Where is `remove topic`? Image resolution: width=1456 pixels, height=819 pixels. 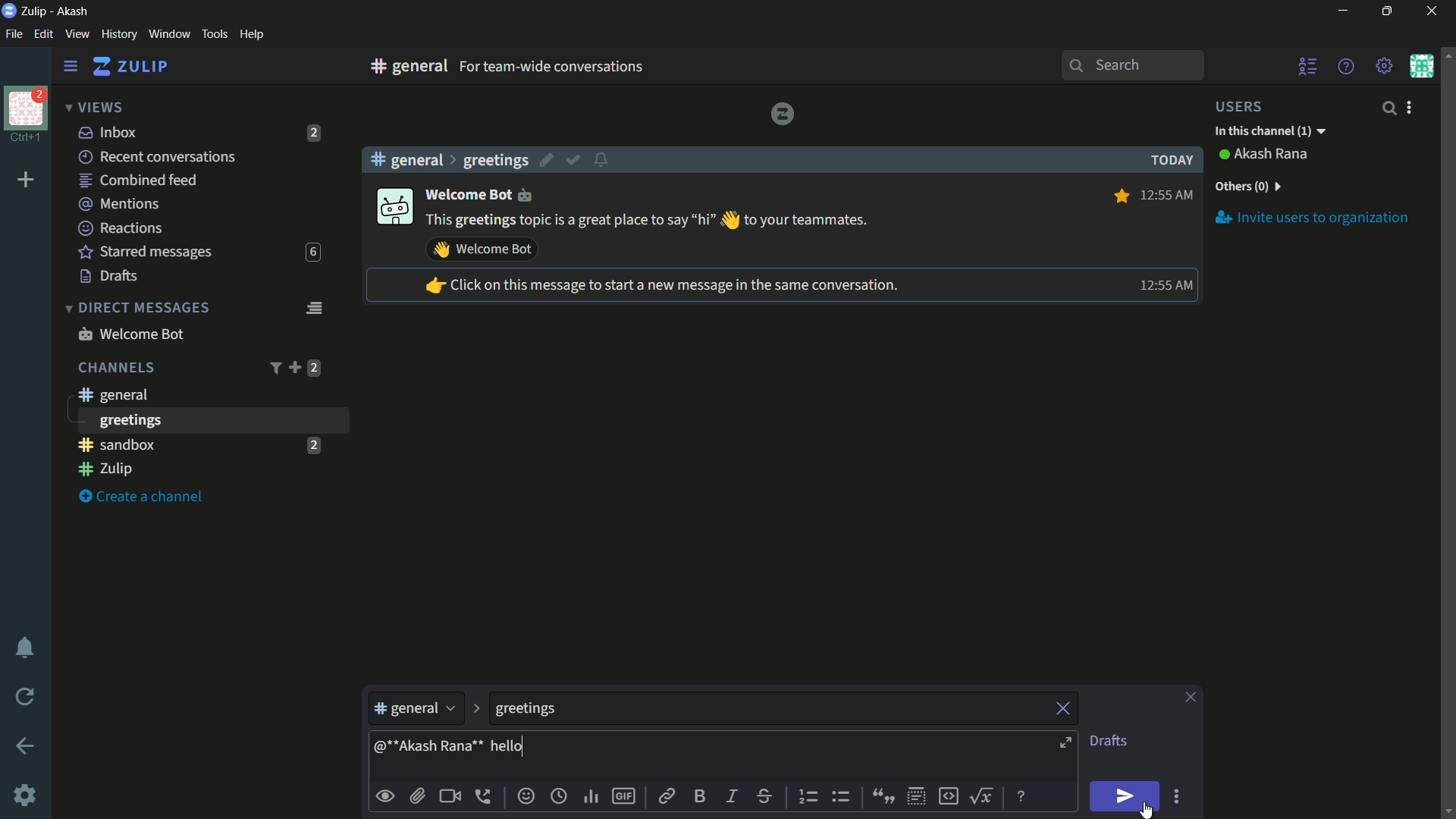 remove topic is located at coordinates (1065, 707).